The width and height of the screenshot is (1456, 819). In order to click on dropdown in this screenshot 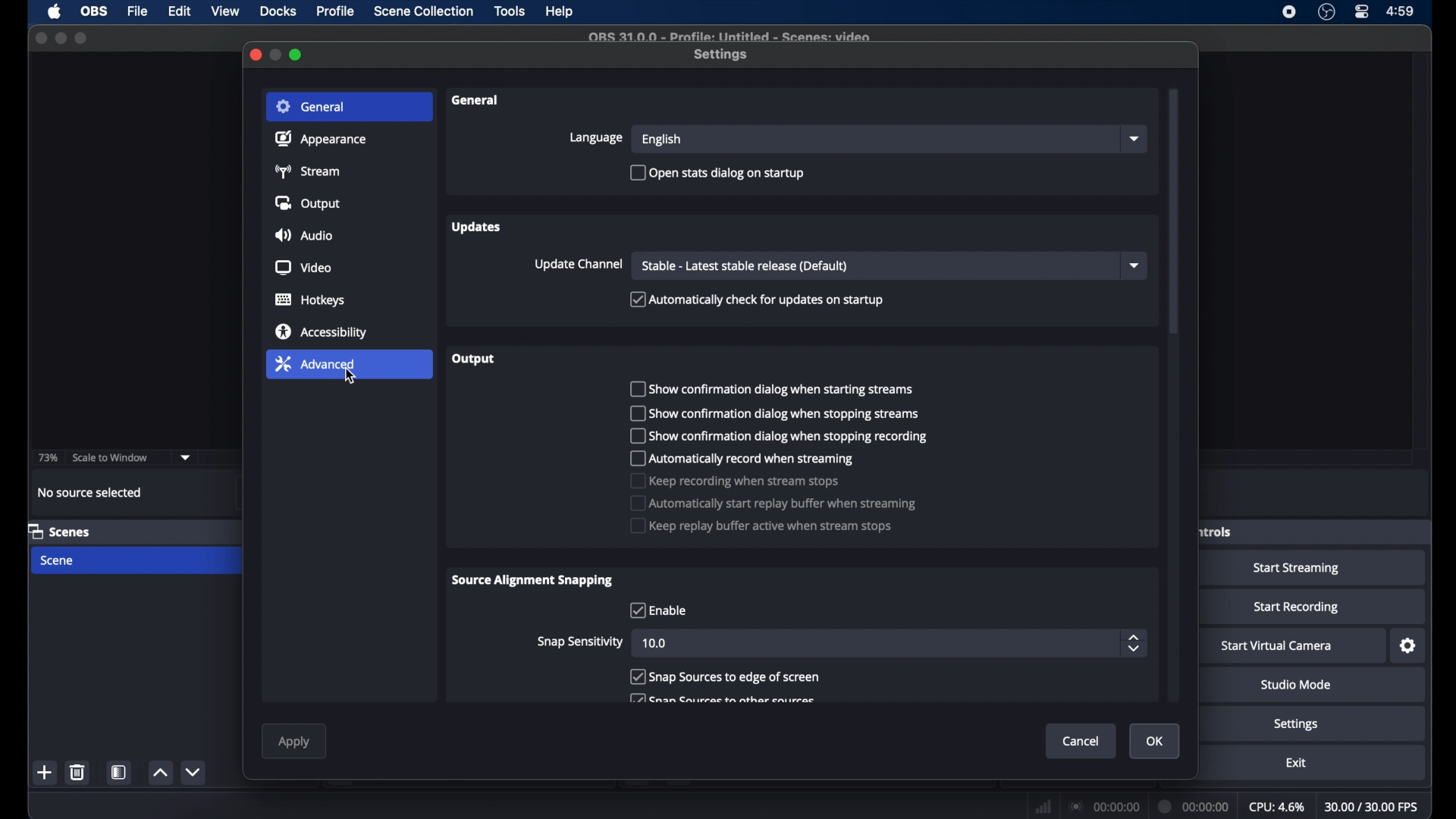, I will do `click(1137, 265)`.